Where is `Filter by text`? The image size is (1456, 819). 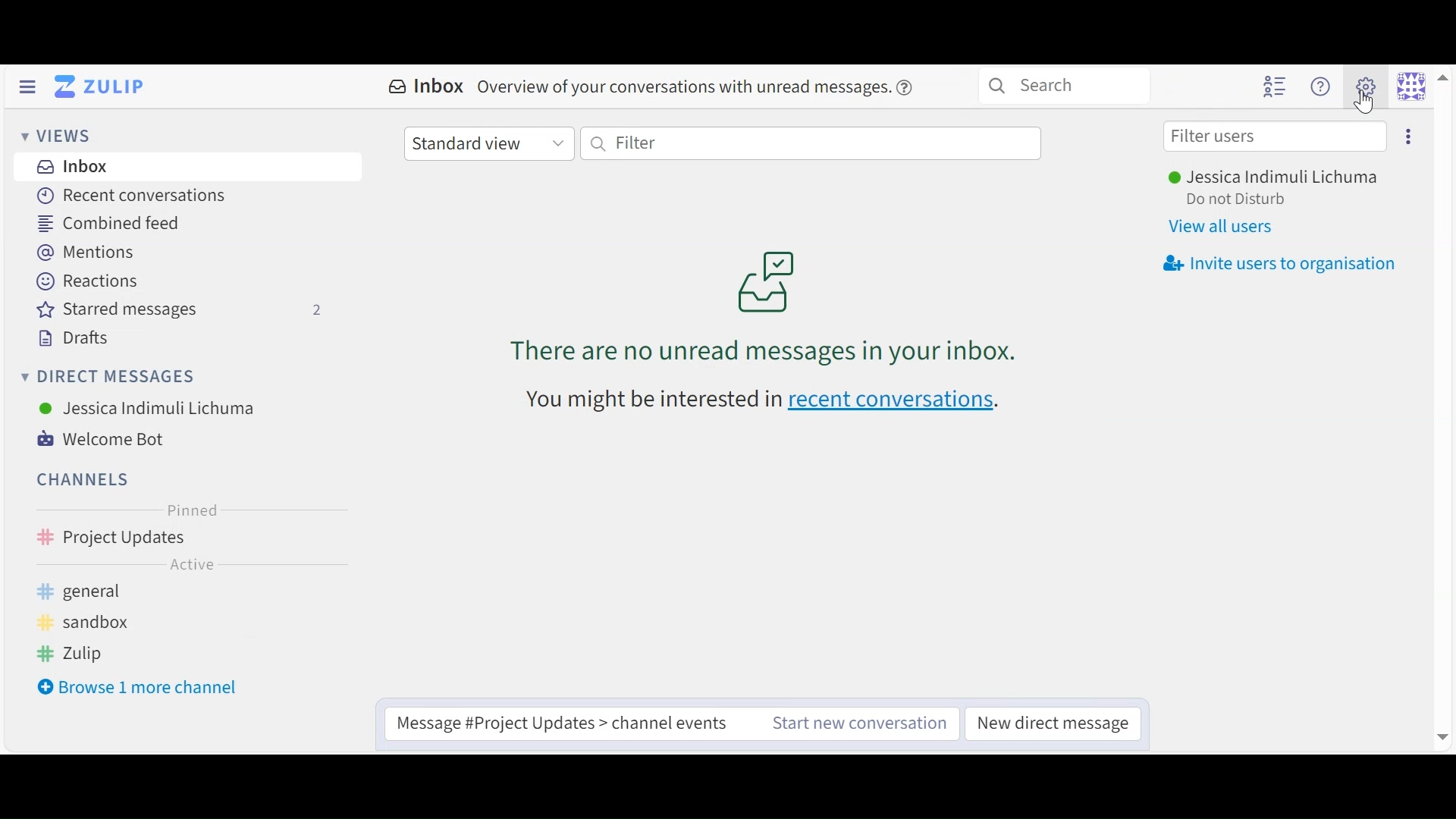
Filter by text is located at coordinates (813, 143).